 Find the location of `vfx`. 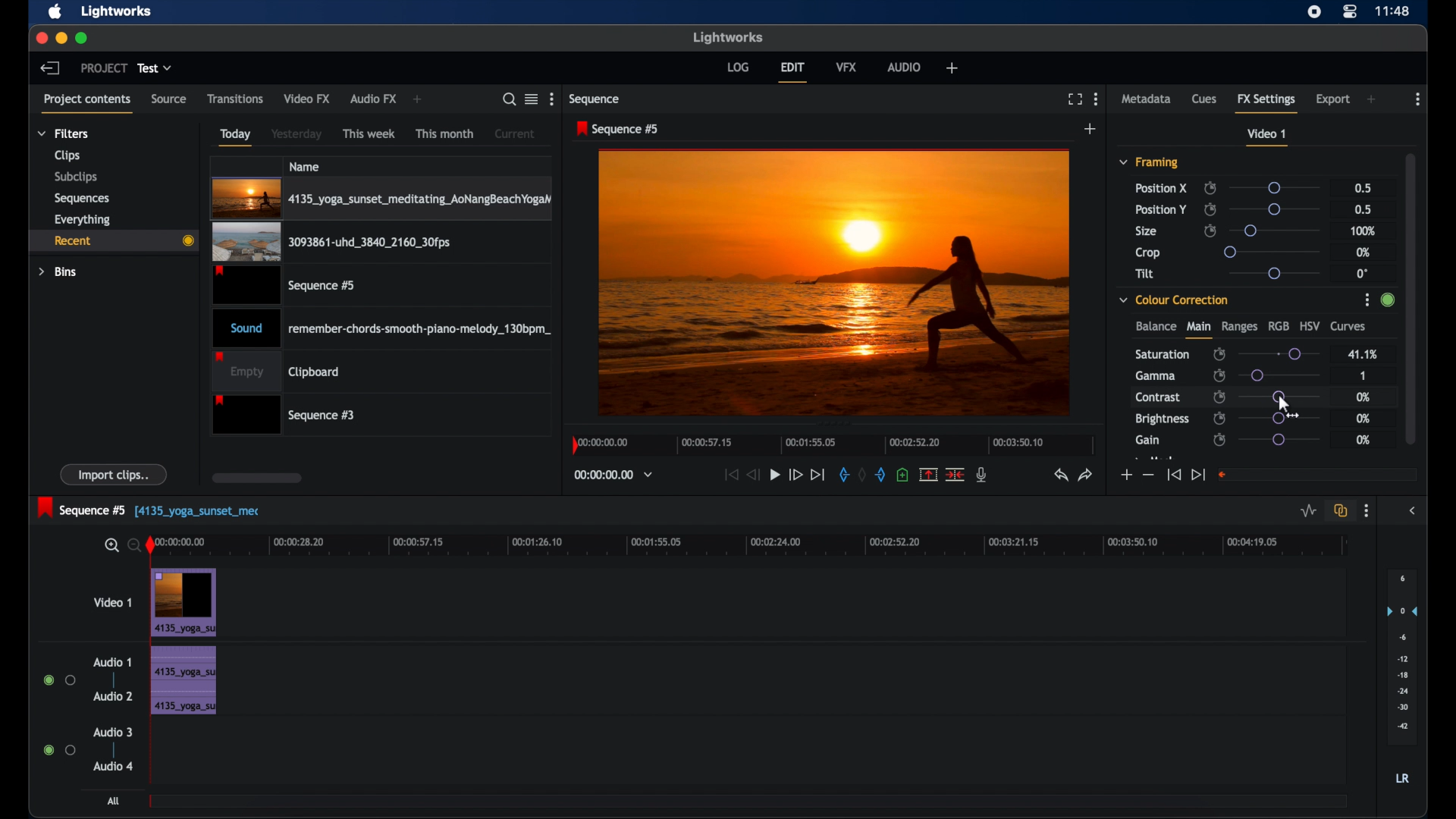

vfx is located at coordinates (847, 67).